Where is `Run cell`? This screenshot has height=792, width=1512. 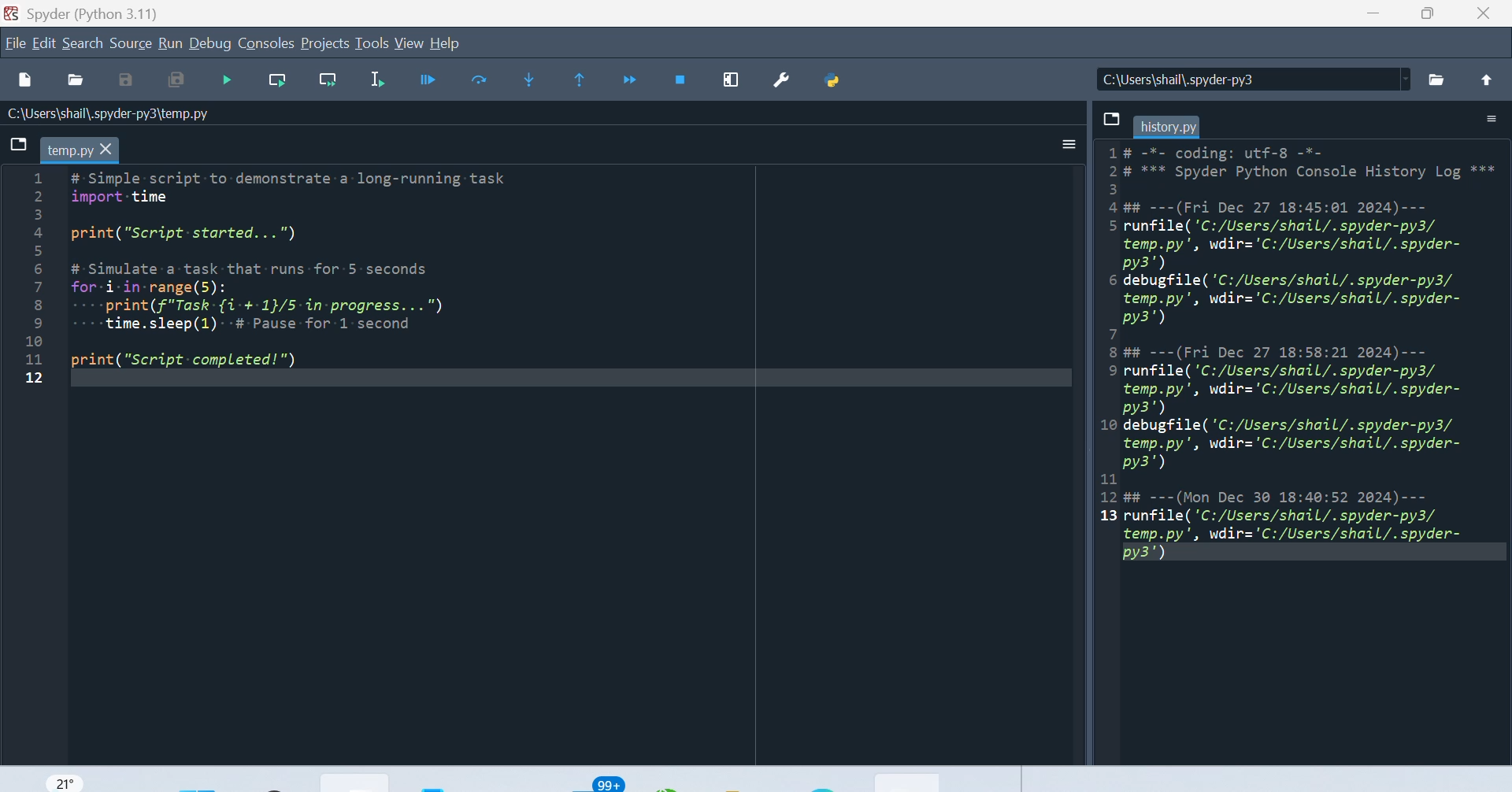
Run cell is located at coordinates (478, 83).